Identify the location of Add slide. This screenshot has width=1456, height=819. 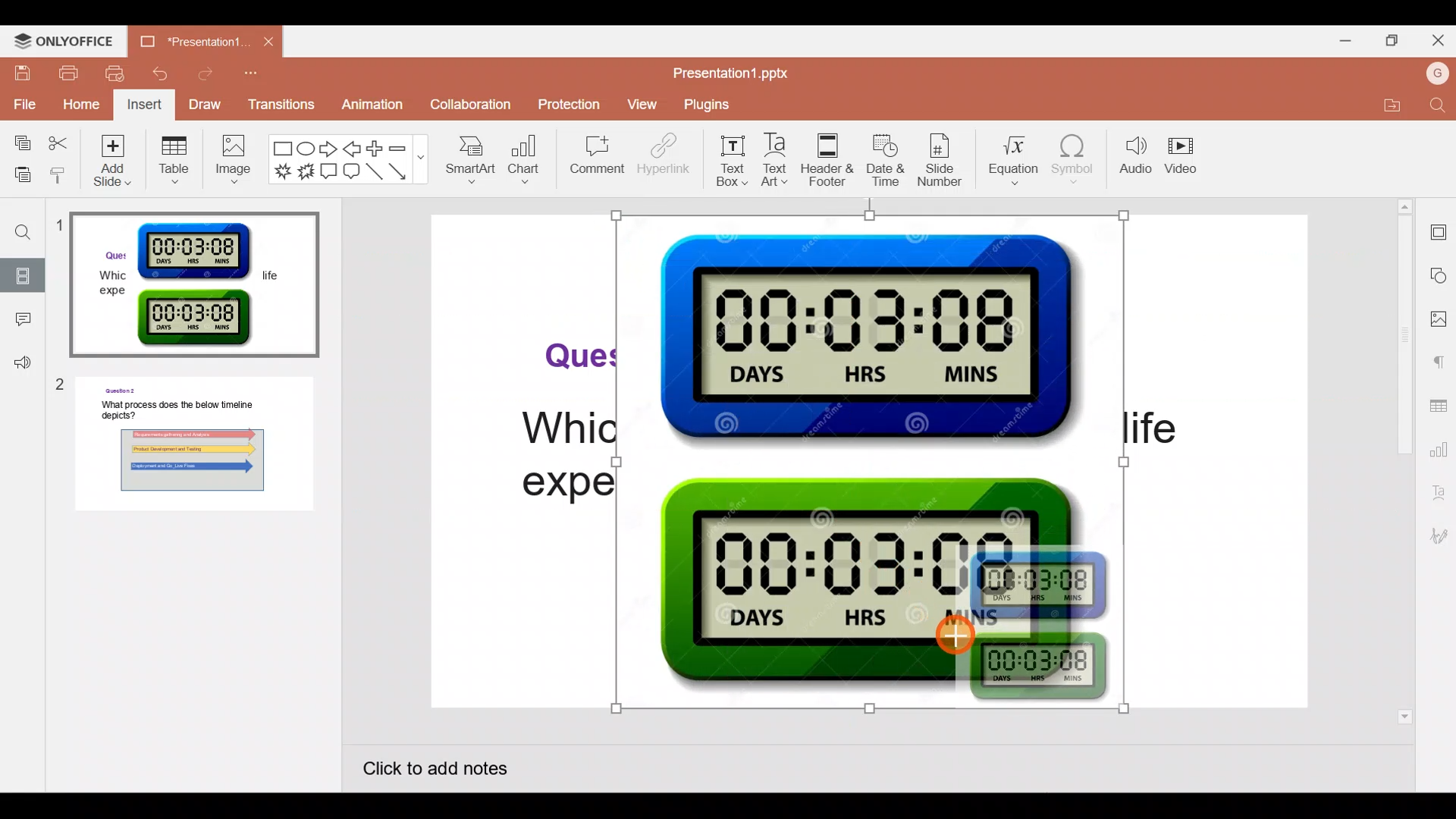
(115, 165).